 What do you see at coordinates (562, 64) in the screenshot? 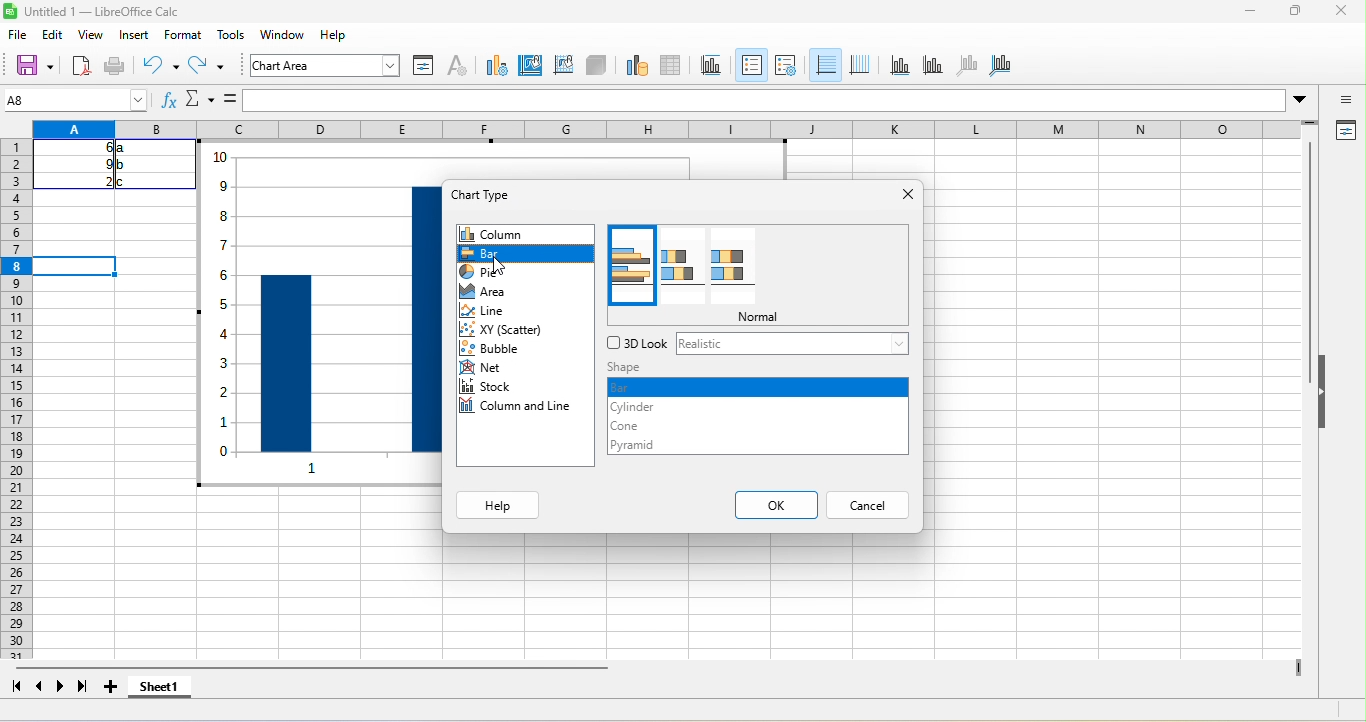
I see `chart wall` at bounding box center [562, 64].